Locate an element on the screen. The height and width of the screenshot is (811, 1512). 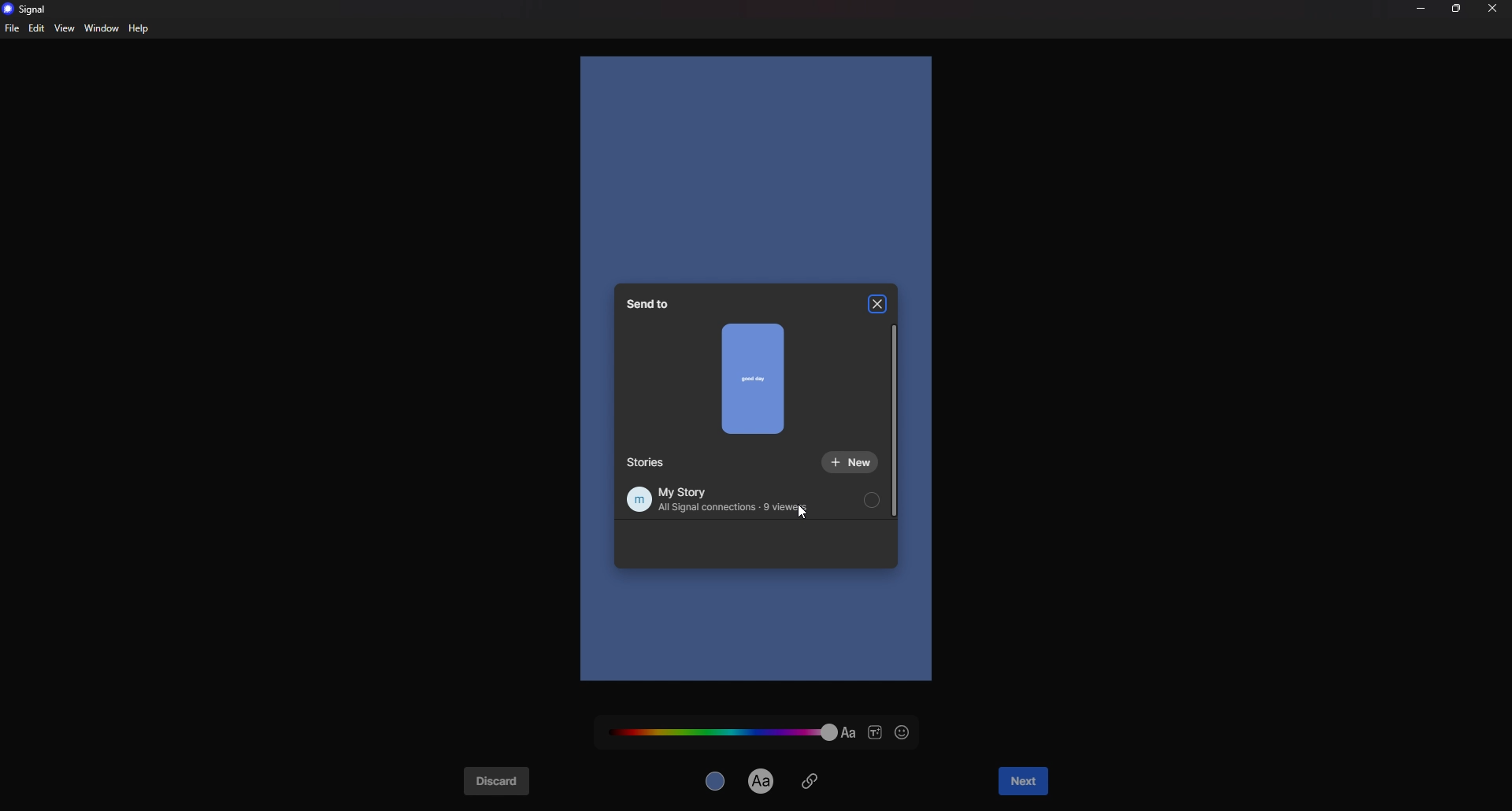
file is located at coordinates (13, 28).